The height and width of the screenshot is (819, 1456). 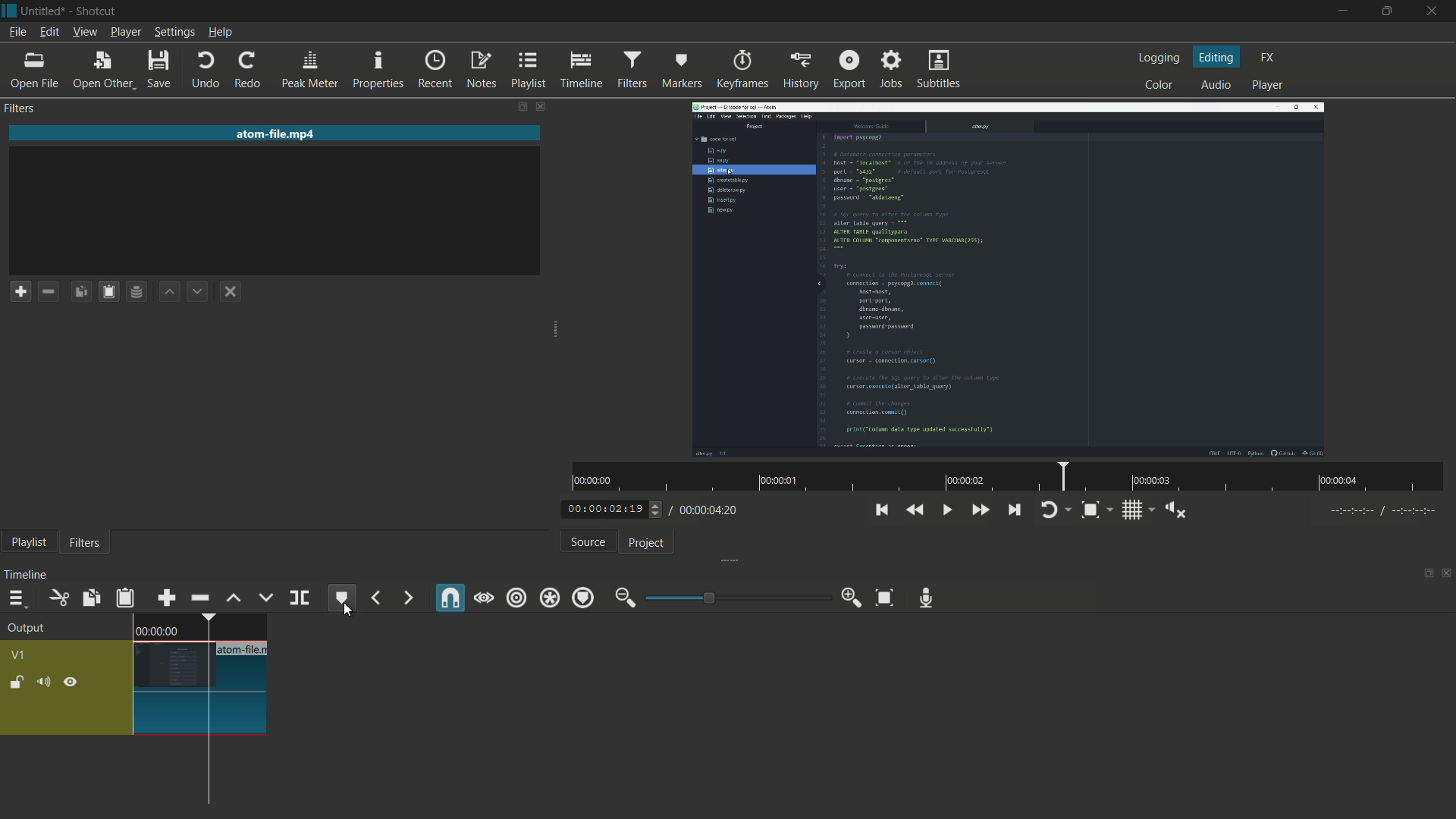 I want to click on open file, so click(x=30, y=71).